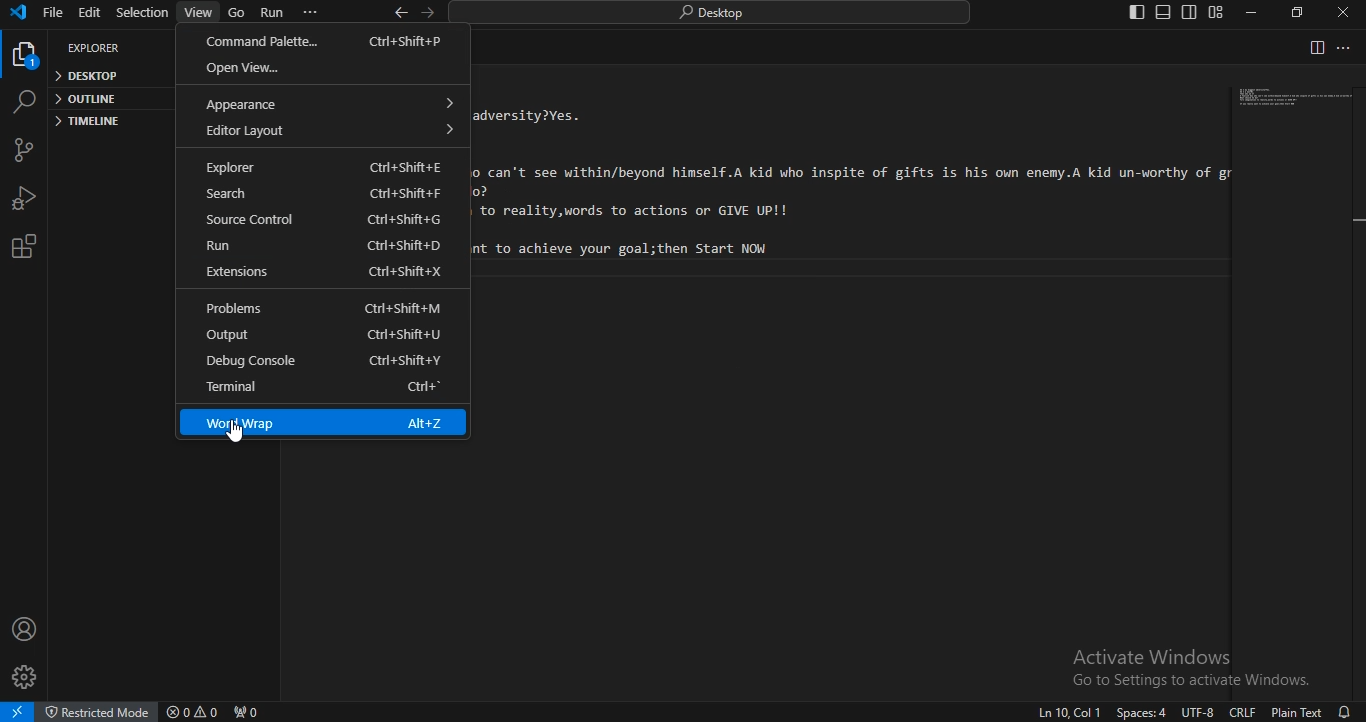 This screenshot has height=722, width=1366. Describe the element at coordinates (26, 58) in the screenshot. I see `explorer` at that location.